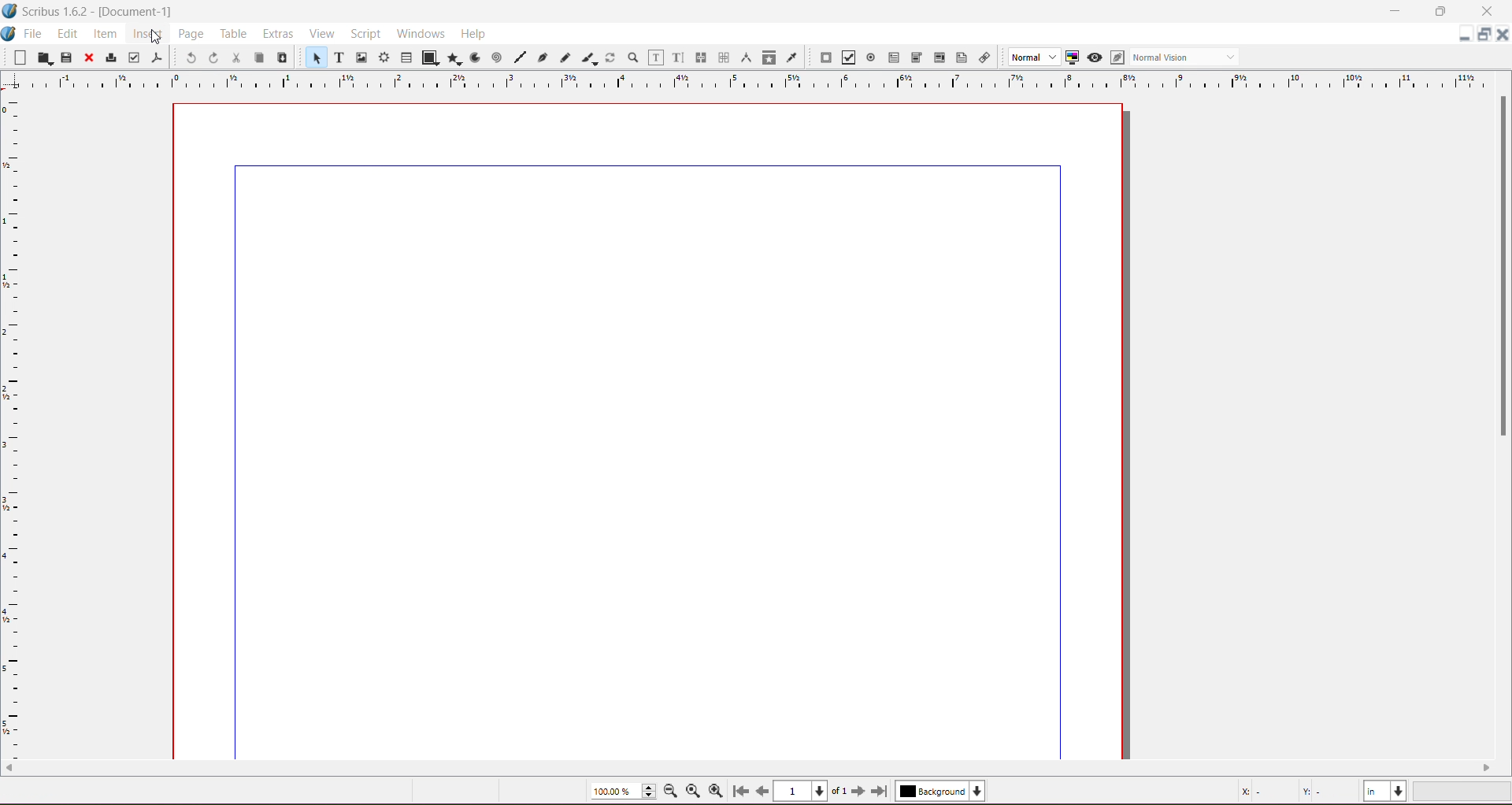 This screenshot has height=805, width=1512. Describe the element at coordinates (191, 57) in the screenshot. I see `Undo` at that location.